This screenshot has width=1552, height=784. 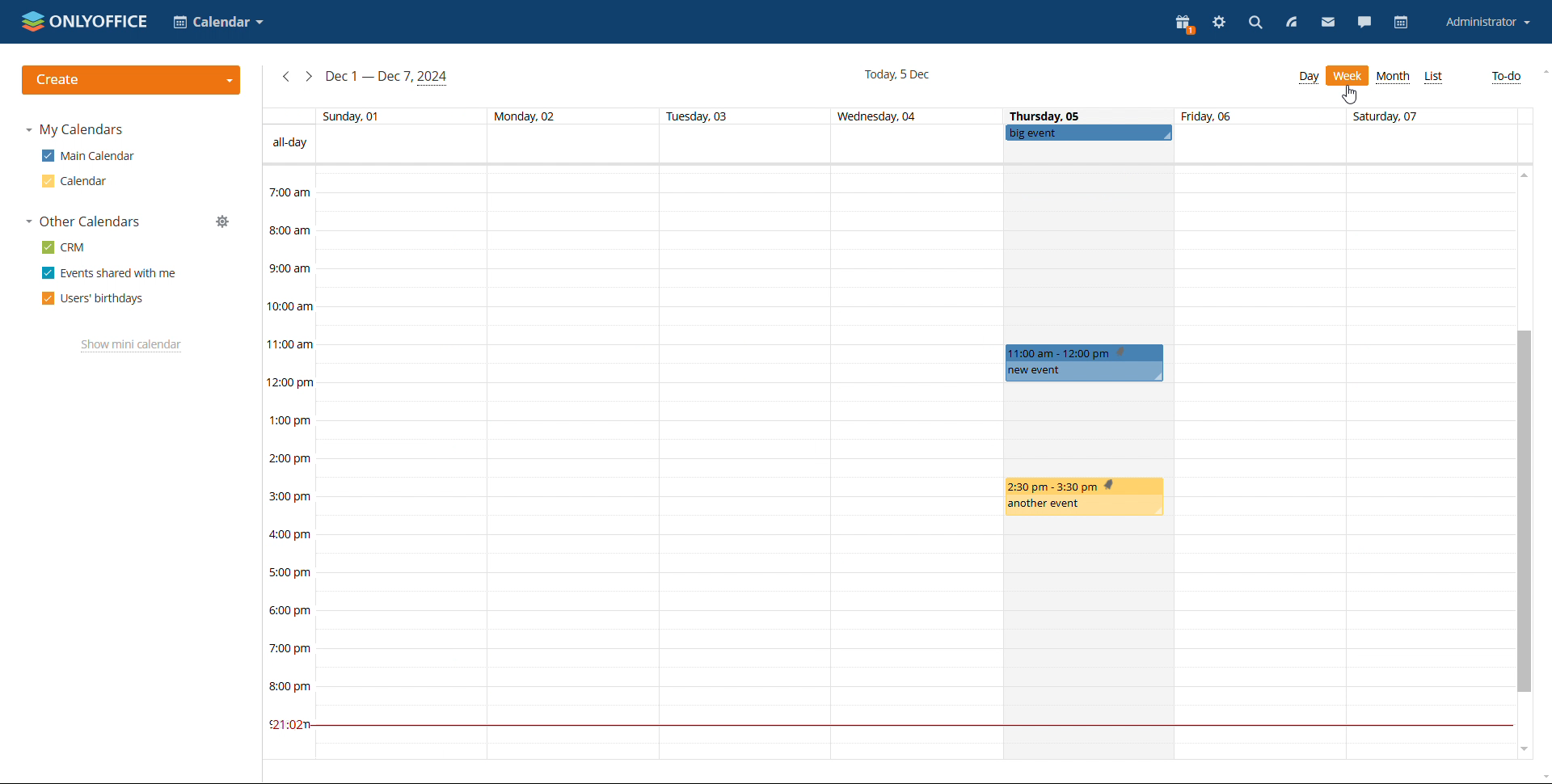 I want to click on crm, so click(x=64, y=247).